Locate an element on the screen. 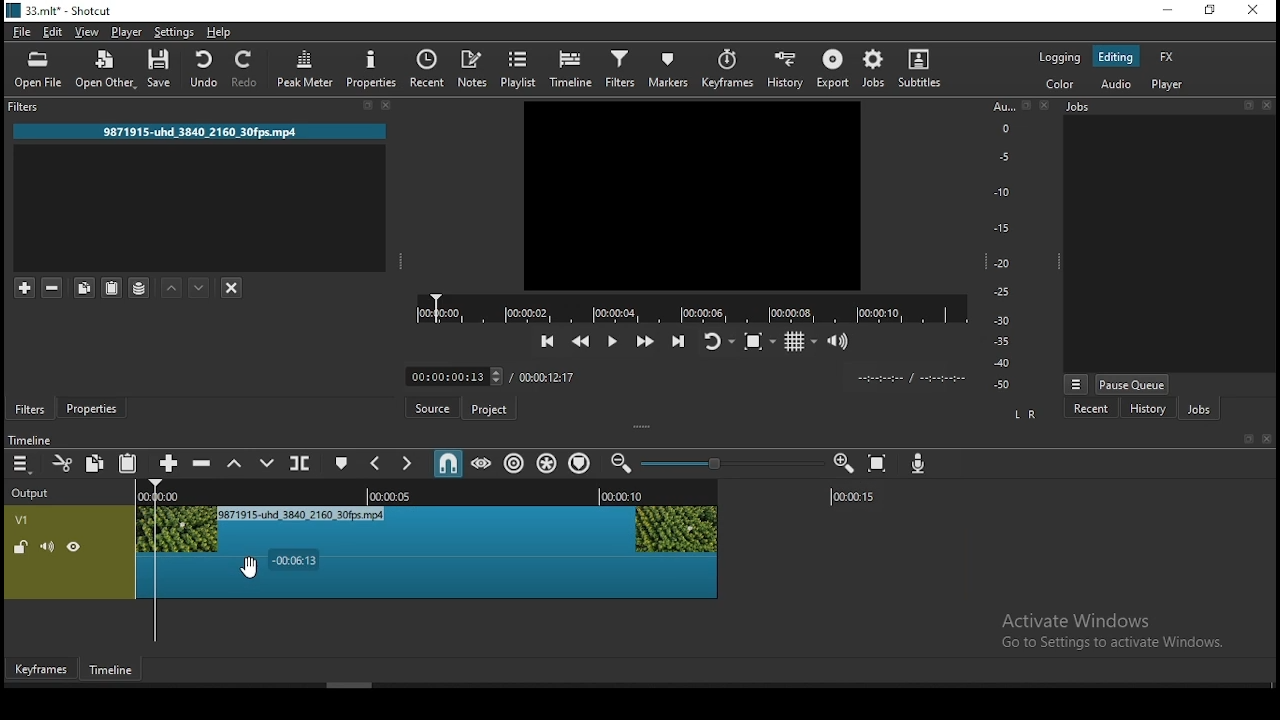  keyframes is located at coordinates (729, 67).